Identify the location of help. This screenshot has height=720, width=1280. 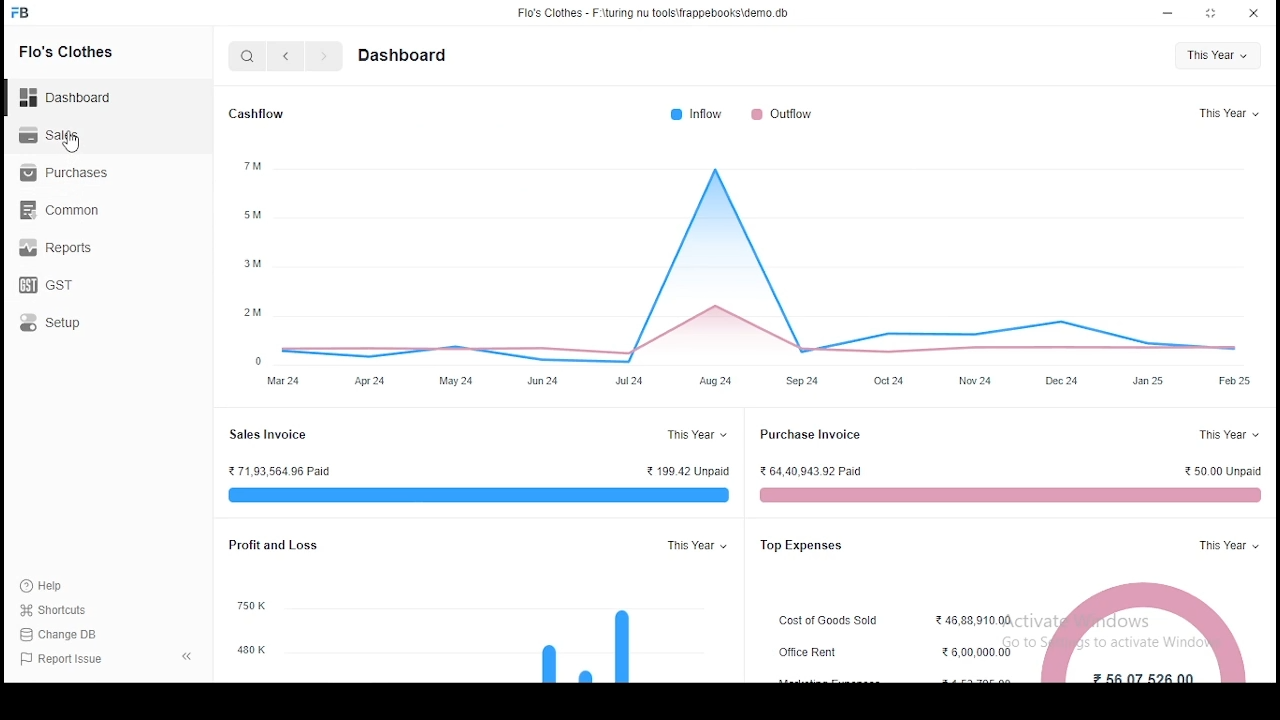
(52, 586).